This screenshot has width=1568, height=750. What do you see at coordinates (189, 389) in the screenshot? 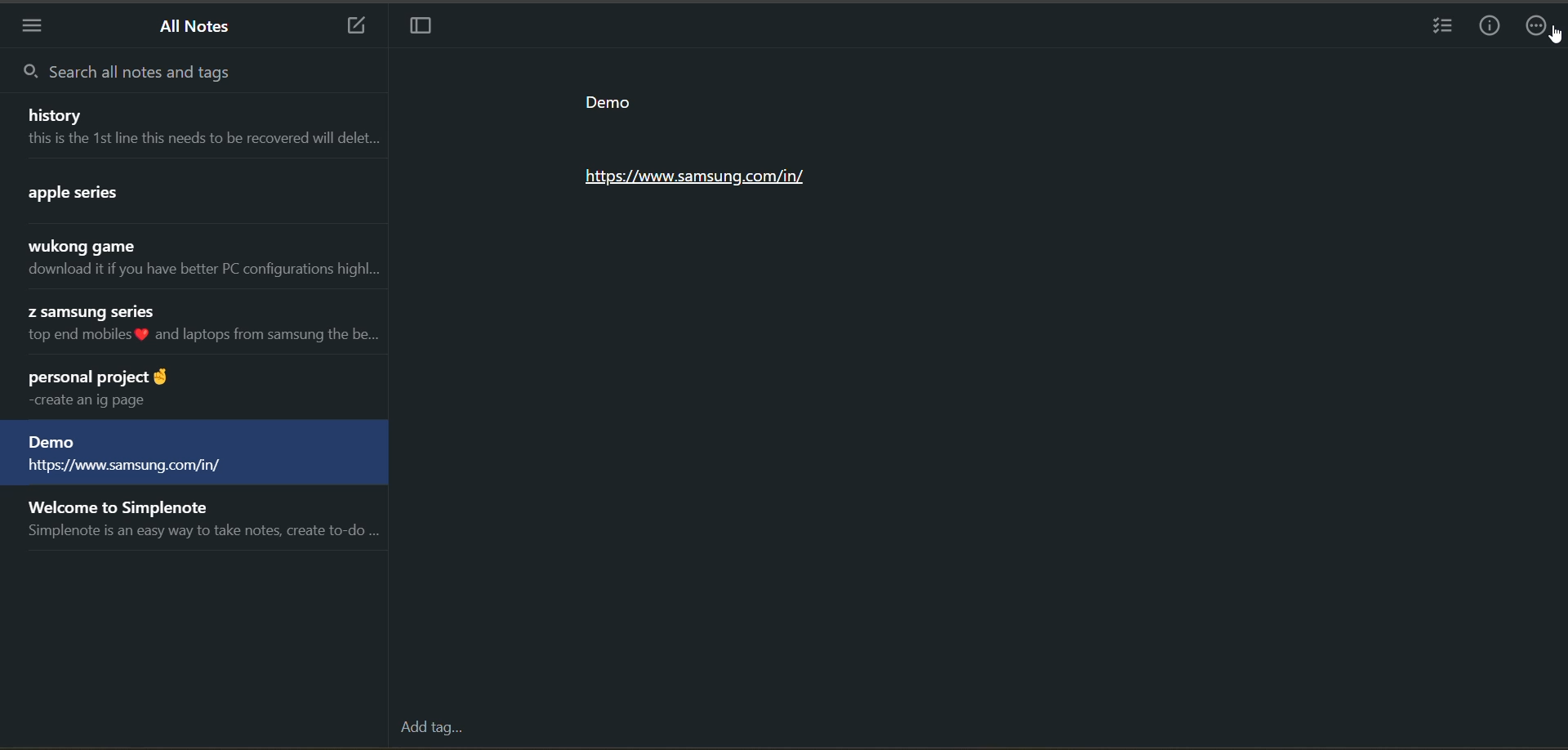
I see `note title and preview` at bounding box center [189, 389].